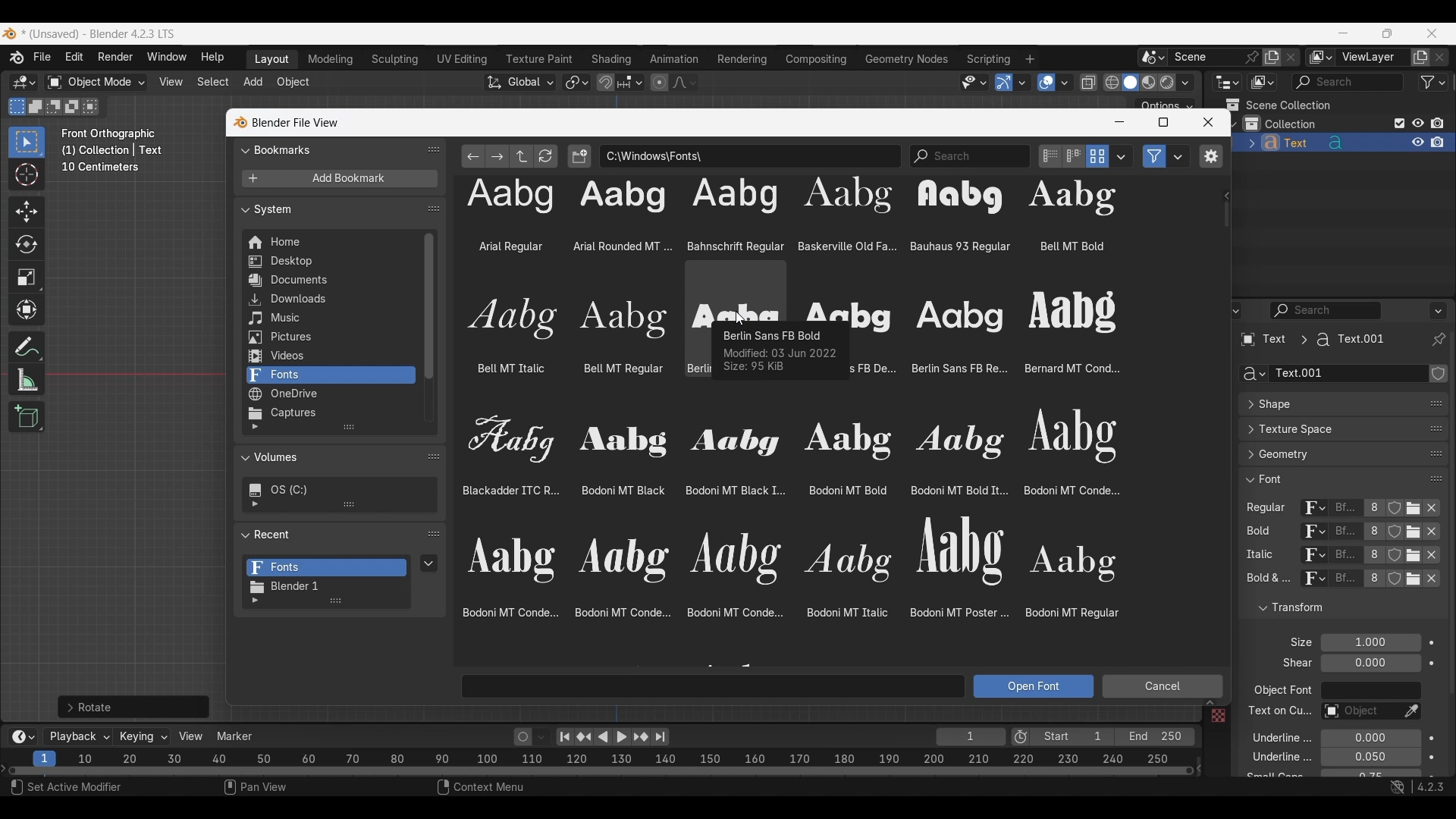 The height and width of the screenshot is (819, 1456). What do you see at coordinates (329, 149) in the screenshot?
I see `Collapse Bookmarks` at bounding box center [329, 149].